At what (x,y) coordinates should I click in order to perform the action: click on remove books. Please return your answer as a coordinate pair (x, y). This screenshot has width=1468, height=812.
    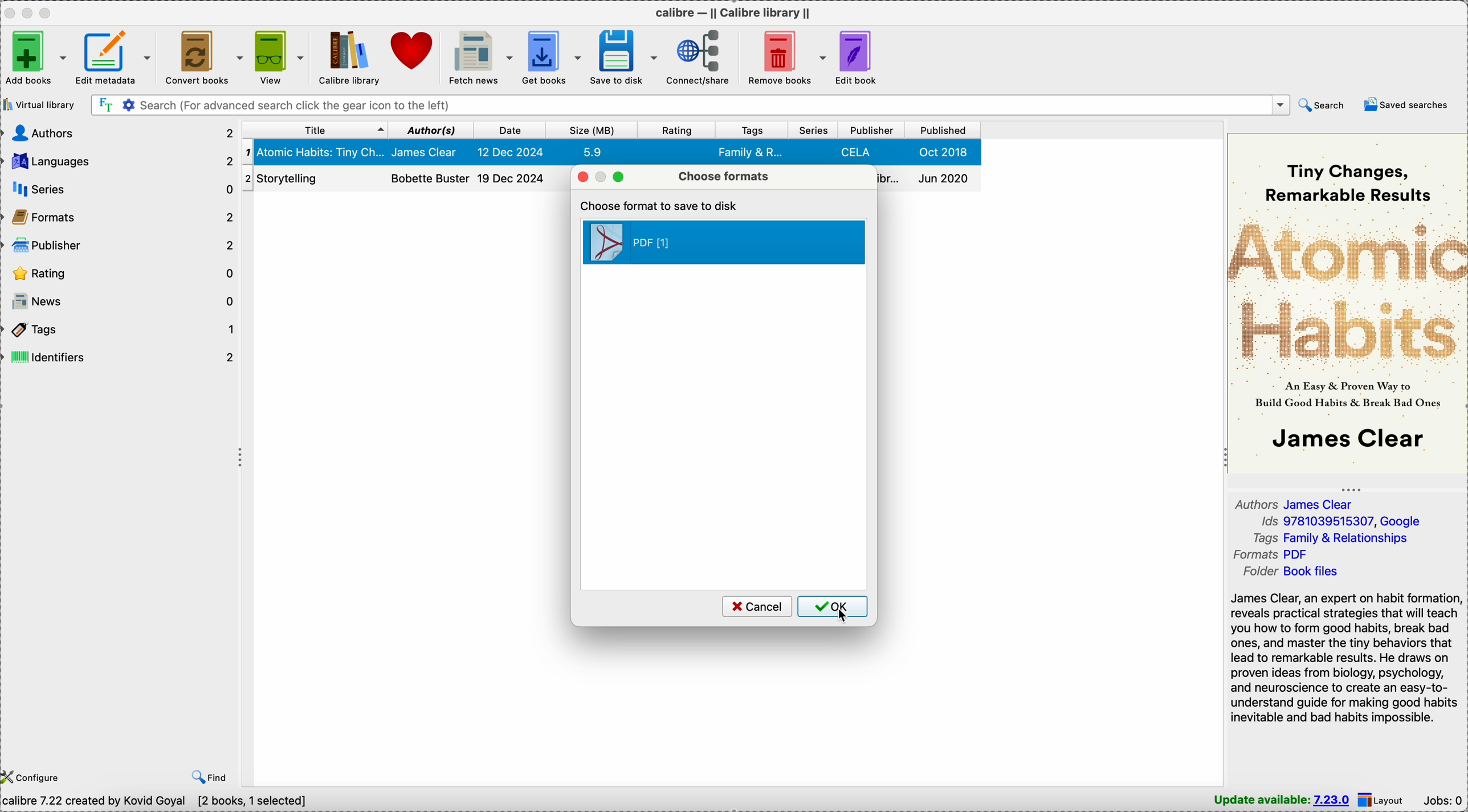
    Looking at the image, I should click on (784, 56).